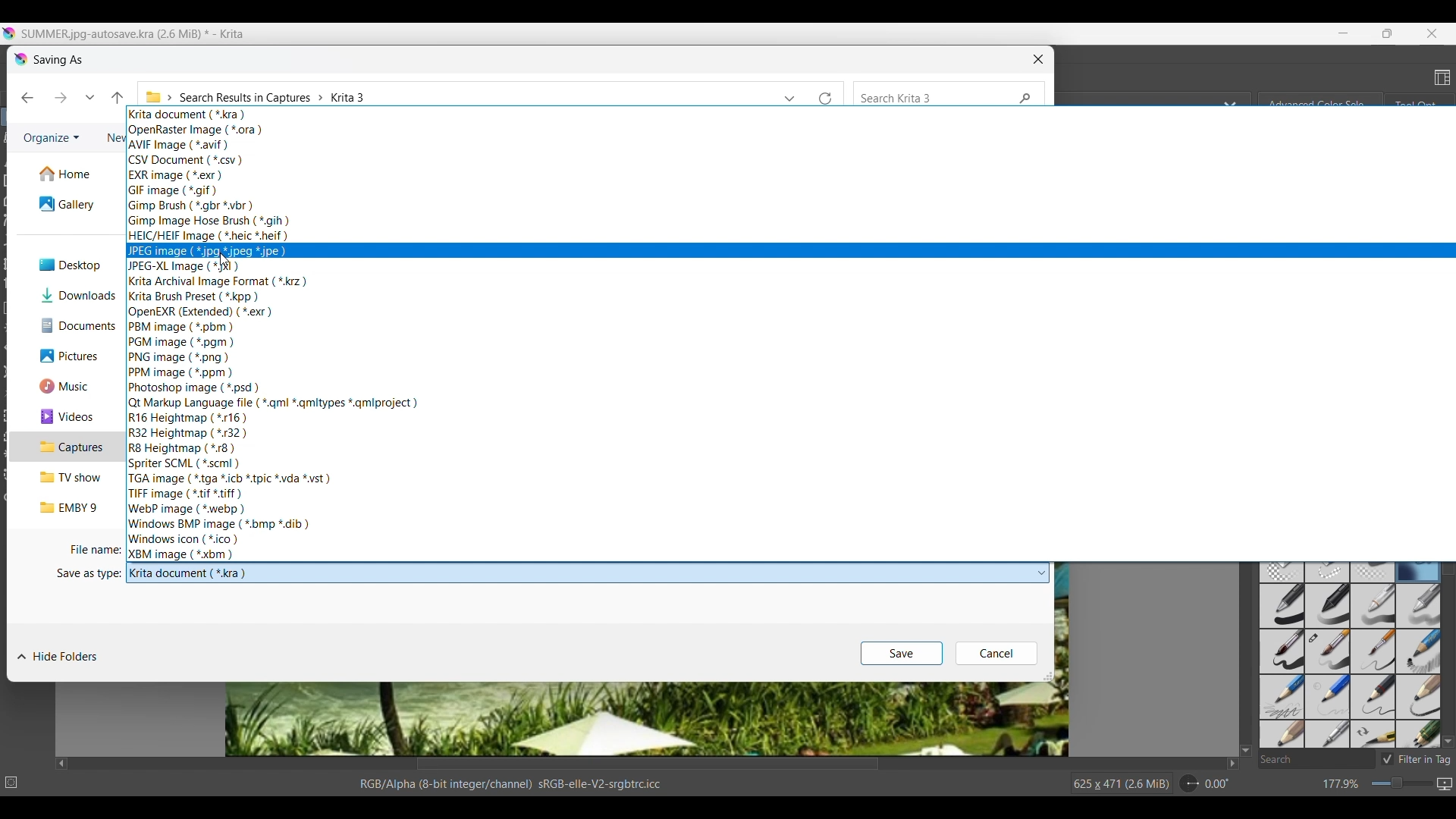 Image resolution: width=1456 pixels, height=819 pixels. What do you see at coordinates (1352, 649) in the screenshot?
I see `Brush presets with current selection highlighted` at bounding box center [1352, 649].